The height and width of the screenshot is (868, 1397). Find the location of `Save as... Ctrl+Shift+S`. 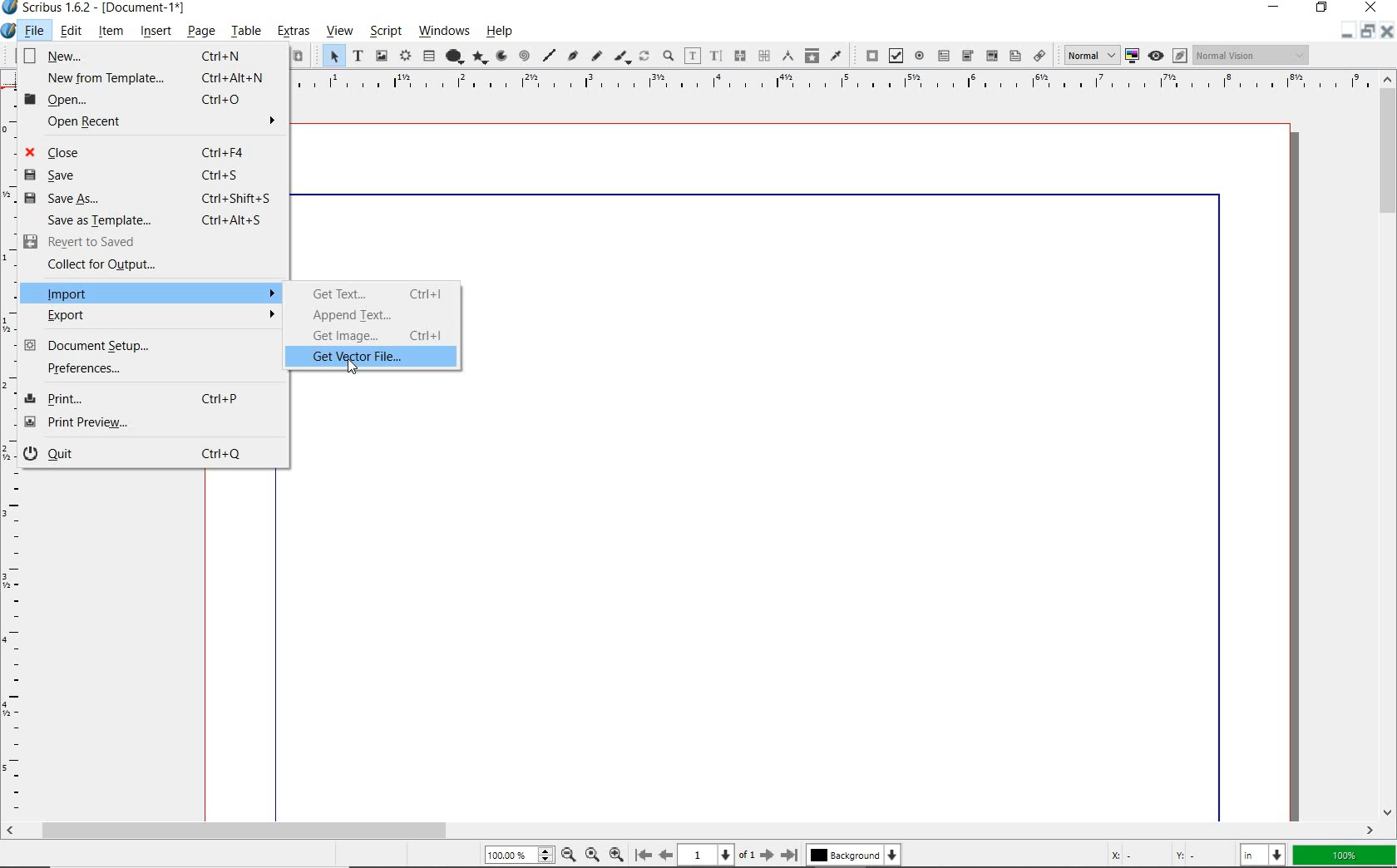

Save as... Ctrl+Shift+S is located at coordinates (151, 197).